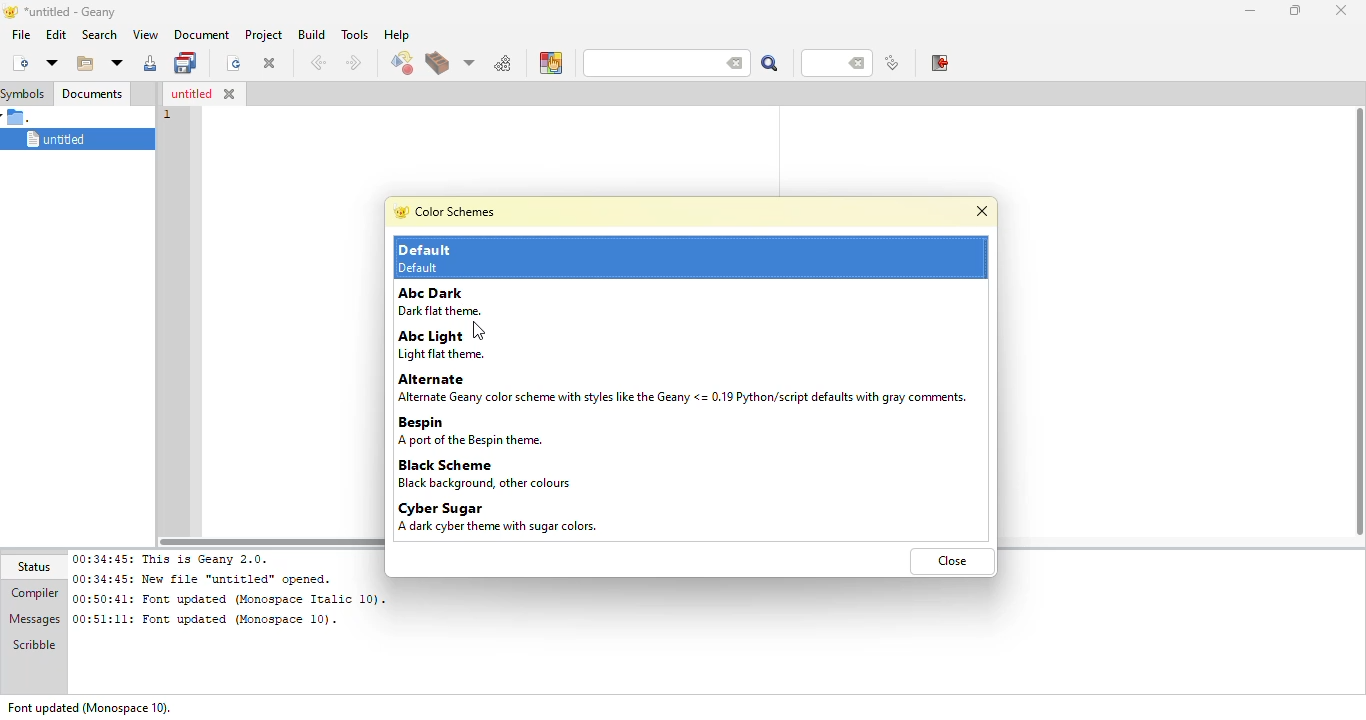 Image resolution: width=1366 pixels, height=720 pixels. What do you see at coordinates (311, 34) in the screenshot?
I see `build` at bounding box center [311, 34].